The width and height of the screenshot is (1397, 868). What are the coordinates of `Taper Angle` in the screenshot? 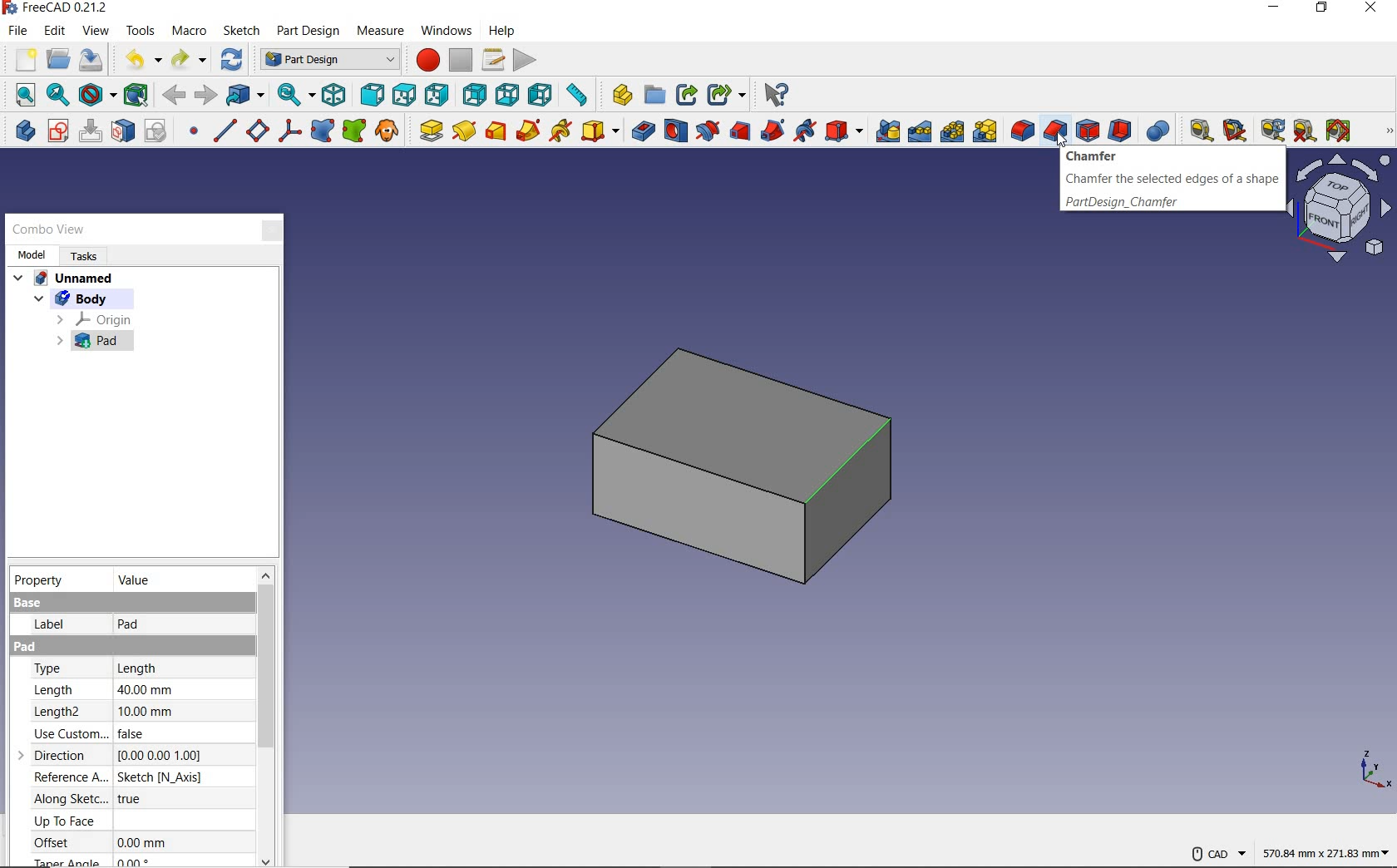 It's located at (67, 861).